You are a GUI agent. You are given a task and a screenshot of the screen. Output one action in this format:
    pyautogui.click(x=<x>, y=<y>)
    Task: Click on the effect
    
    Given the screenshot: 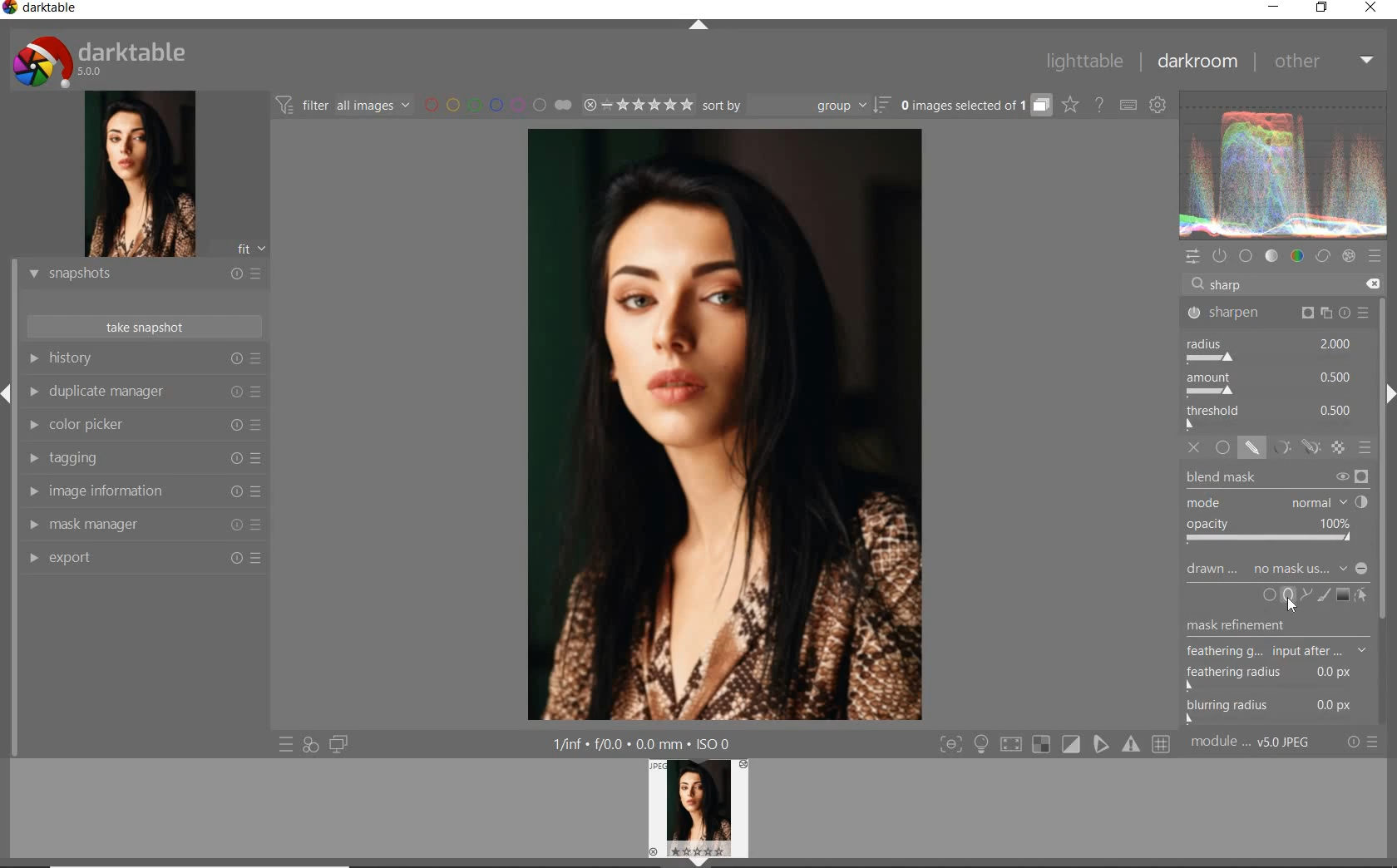 What is the action you would take?
    pyautogui.click(x=1349, y=258)
    